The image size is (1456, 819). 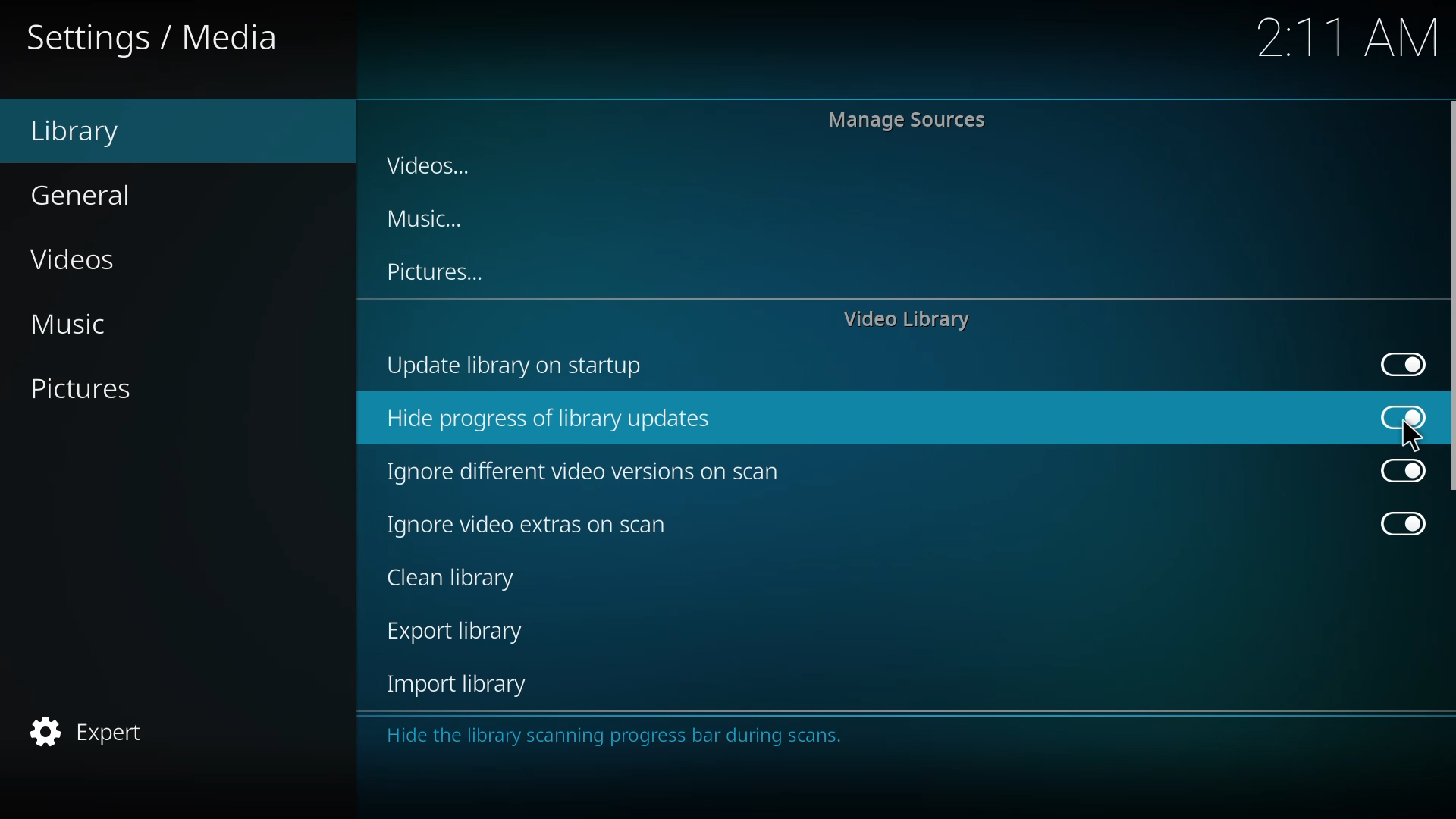 What do you see at coordinates (80, 260) in the screenshot?
I see `videos` at bounding box center [80, 260].